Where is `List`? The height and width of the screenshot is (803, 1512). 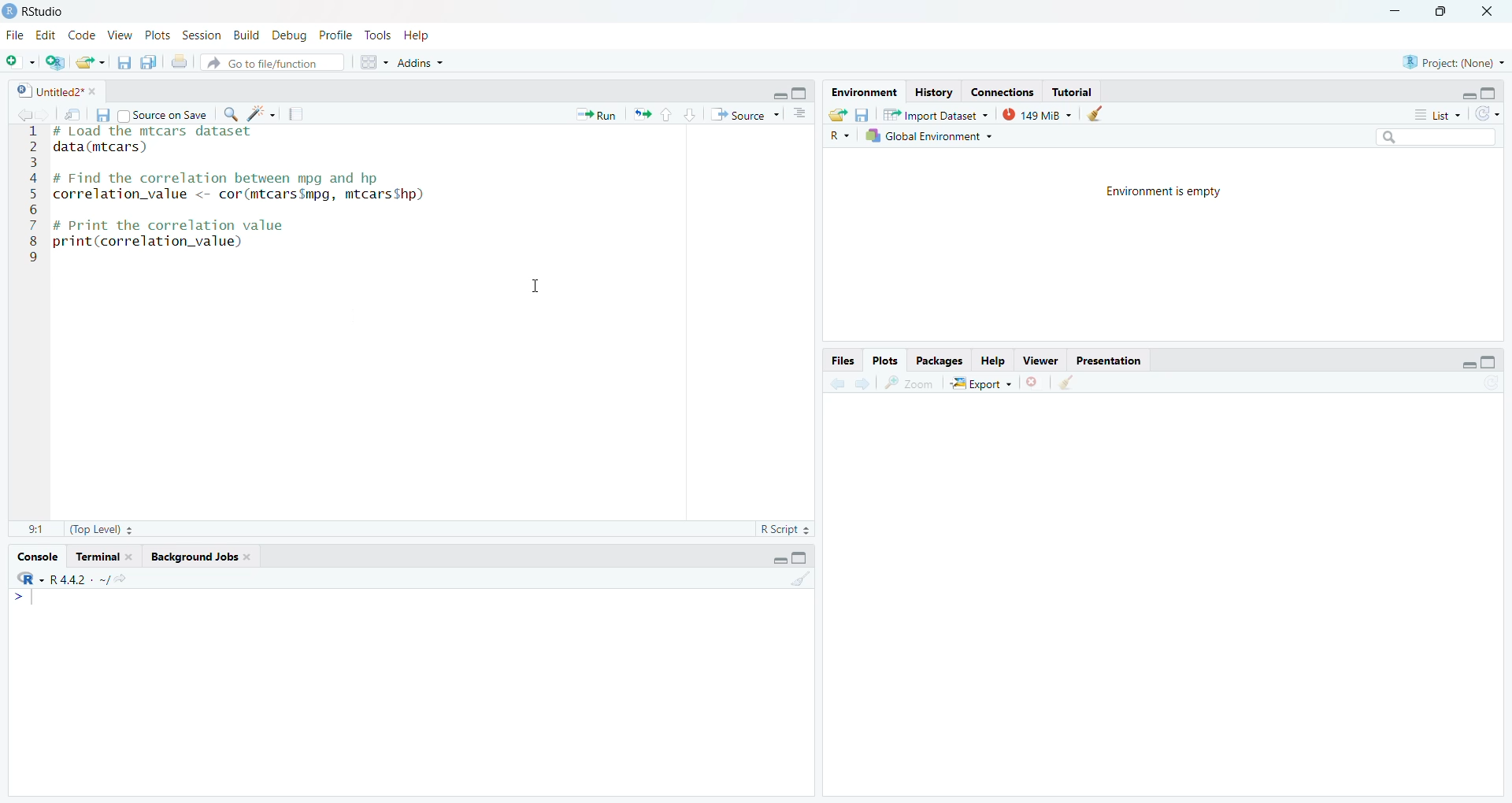
List is located at coordinates (1436, 115).